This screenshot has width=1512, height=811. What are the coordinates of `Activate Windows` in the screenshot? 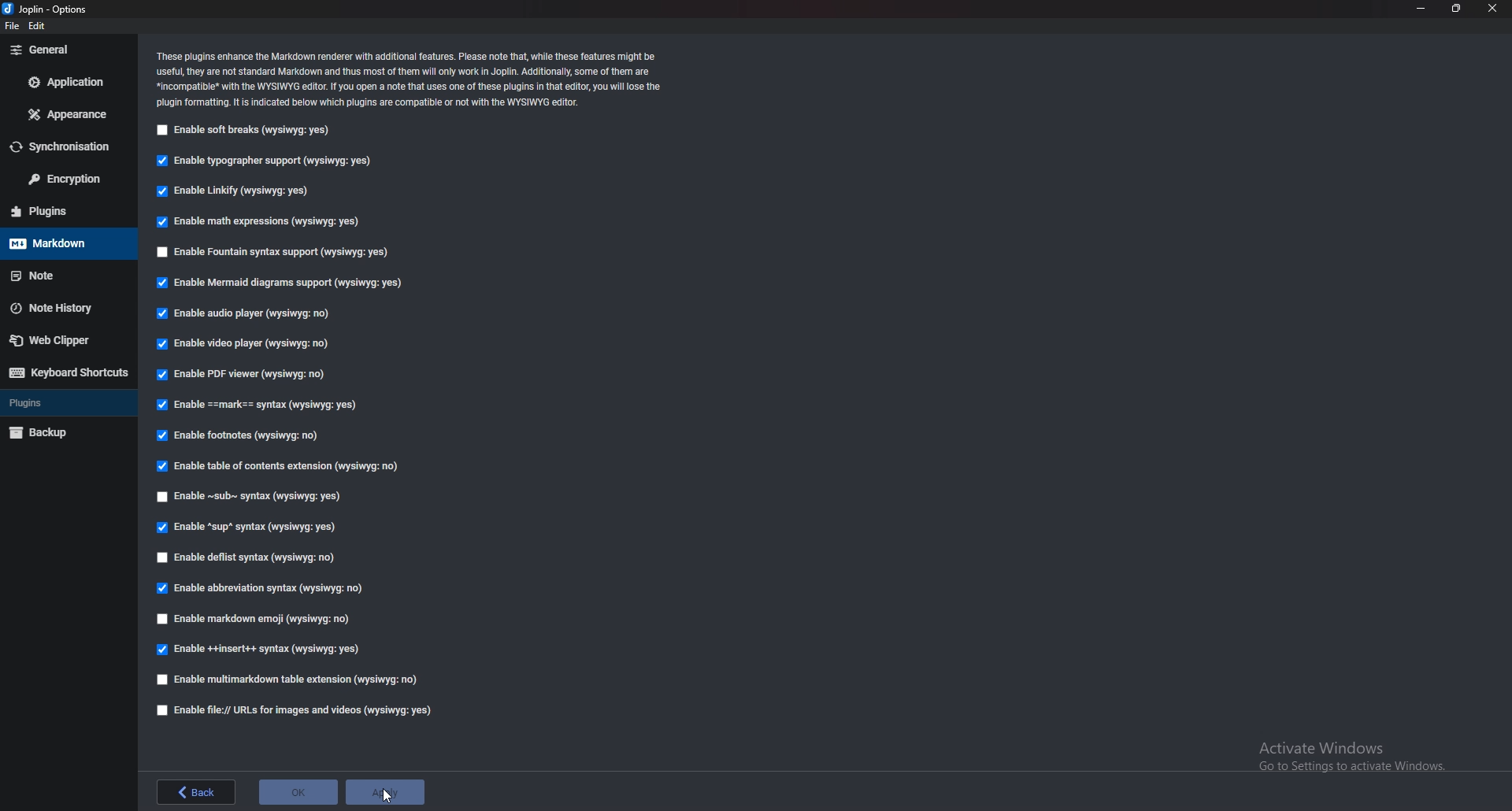 It's located at (1350, 757).